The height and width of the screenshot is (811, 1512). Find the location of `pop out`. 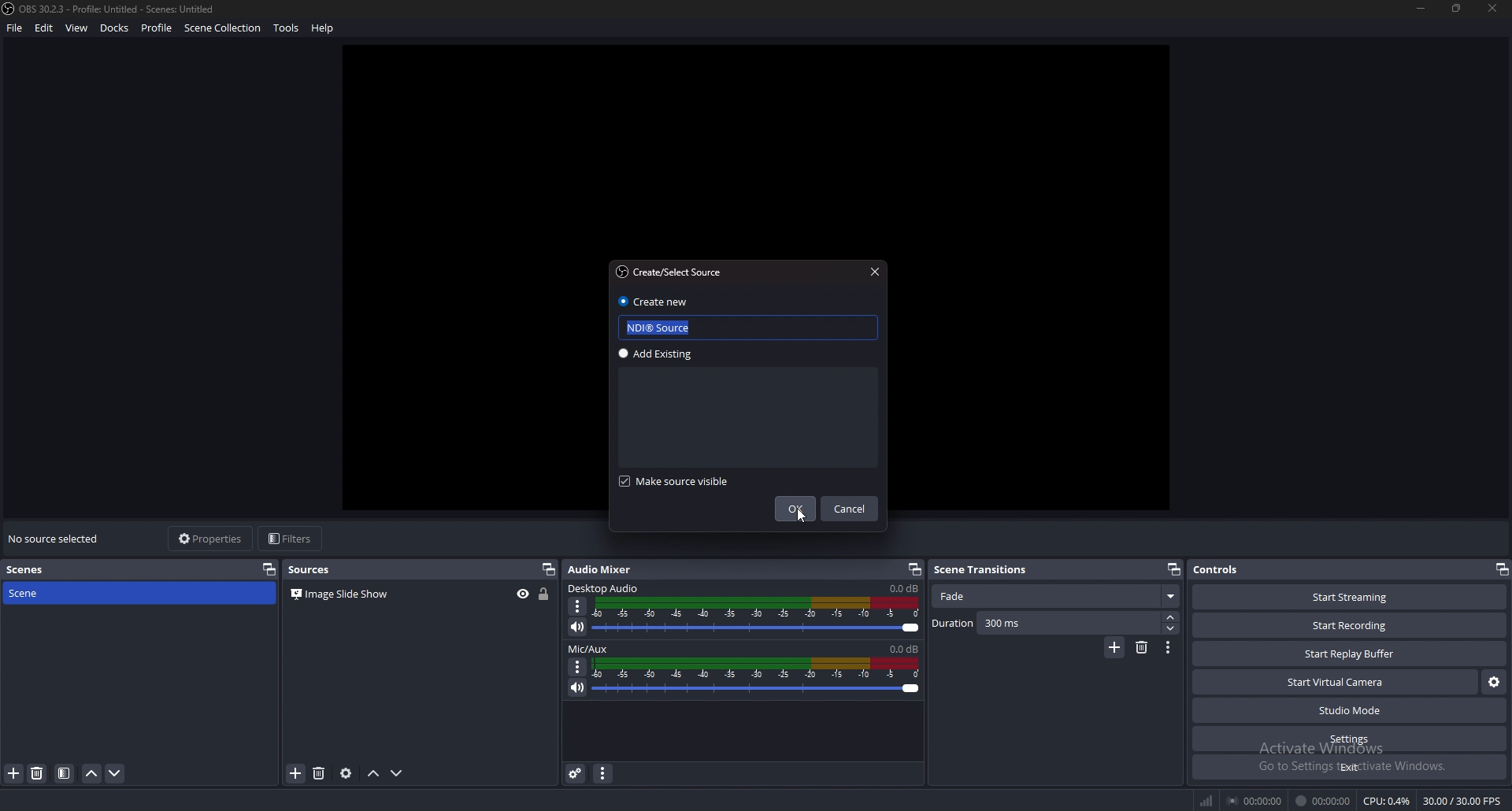

pop out is located at coordinates (1174, 569).